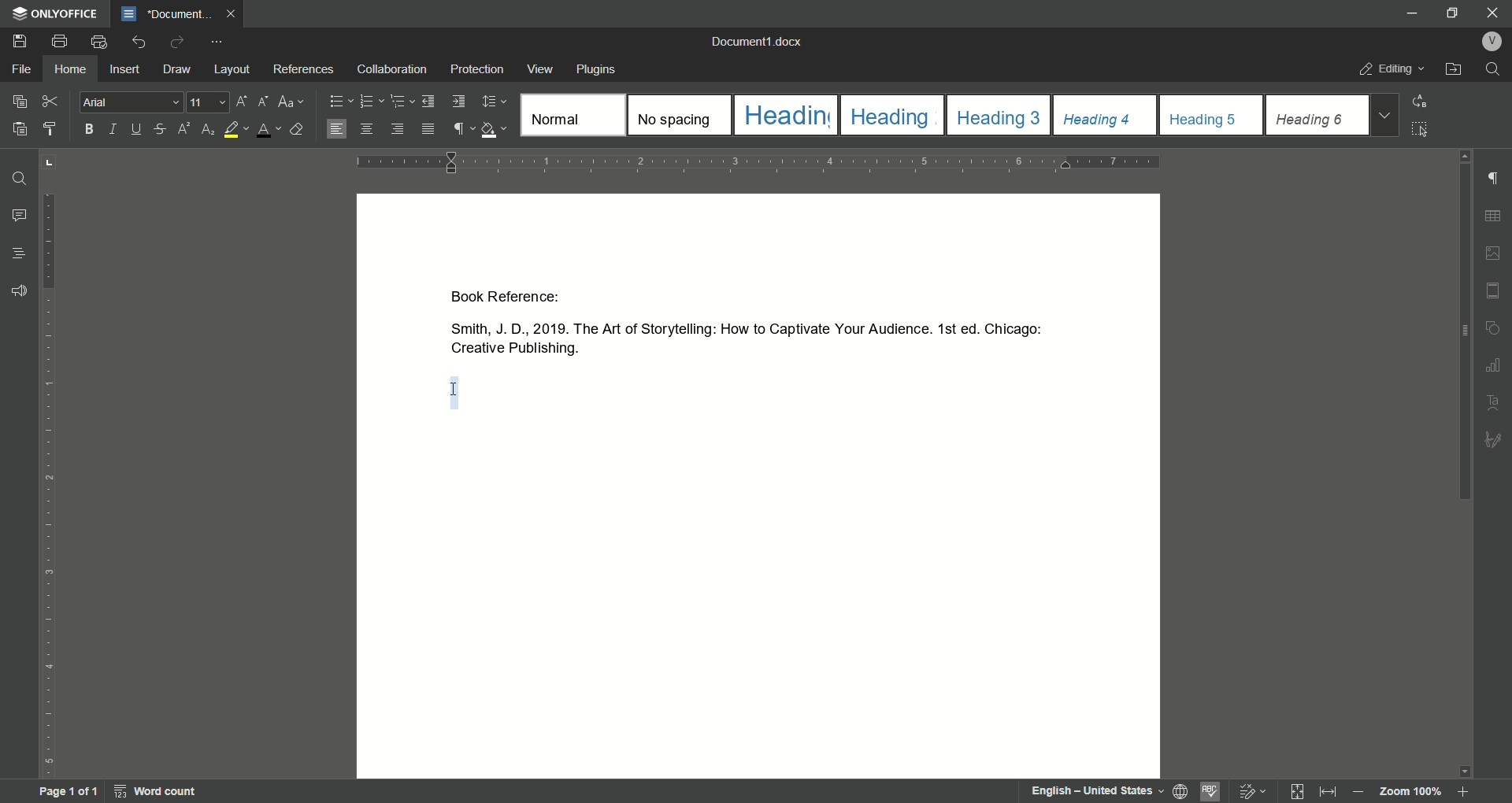 This screenshot has width=1512, height=803. I want to click on open file, so click(1454, 68).